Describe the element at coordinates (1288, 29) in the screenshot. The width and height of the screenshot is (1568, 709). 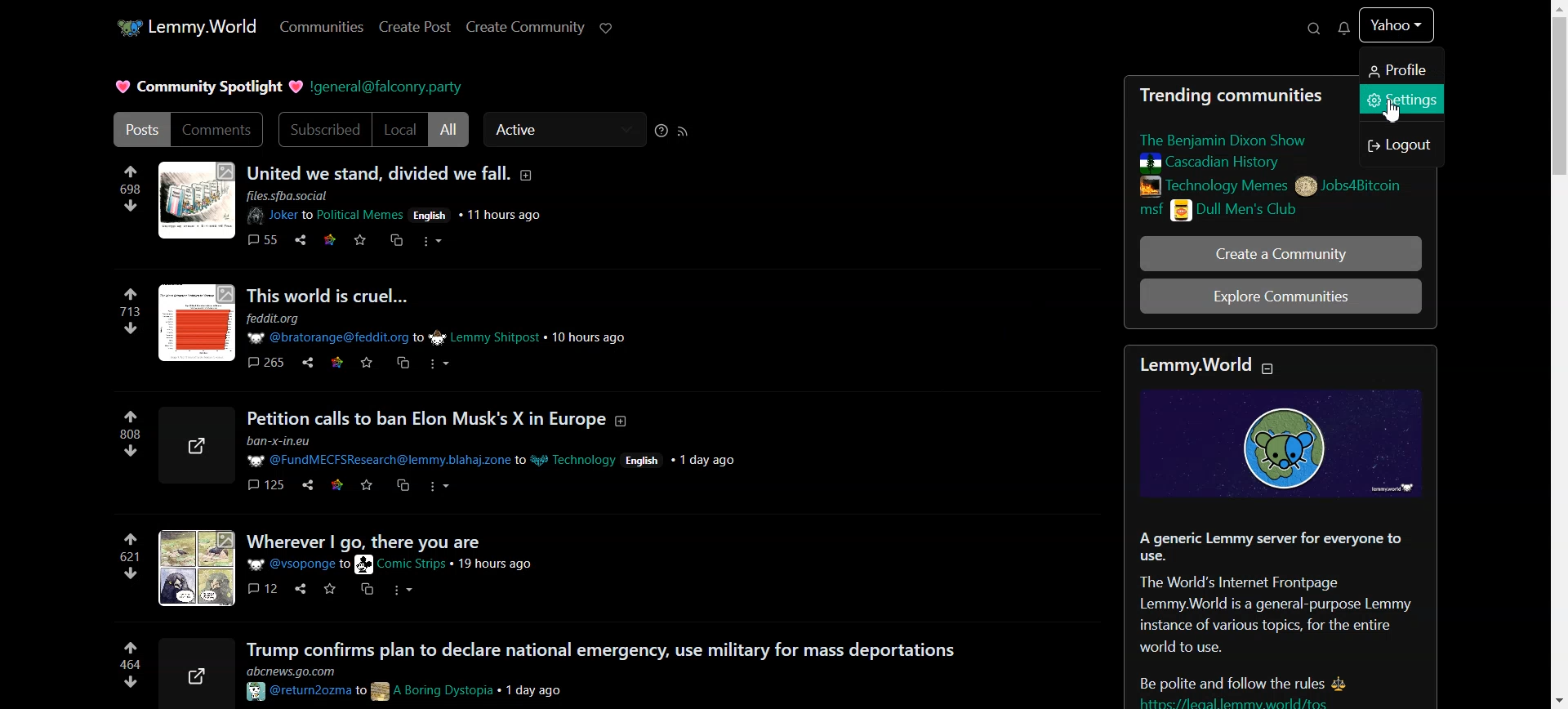
I see `Search` at that location.